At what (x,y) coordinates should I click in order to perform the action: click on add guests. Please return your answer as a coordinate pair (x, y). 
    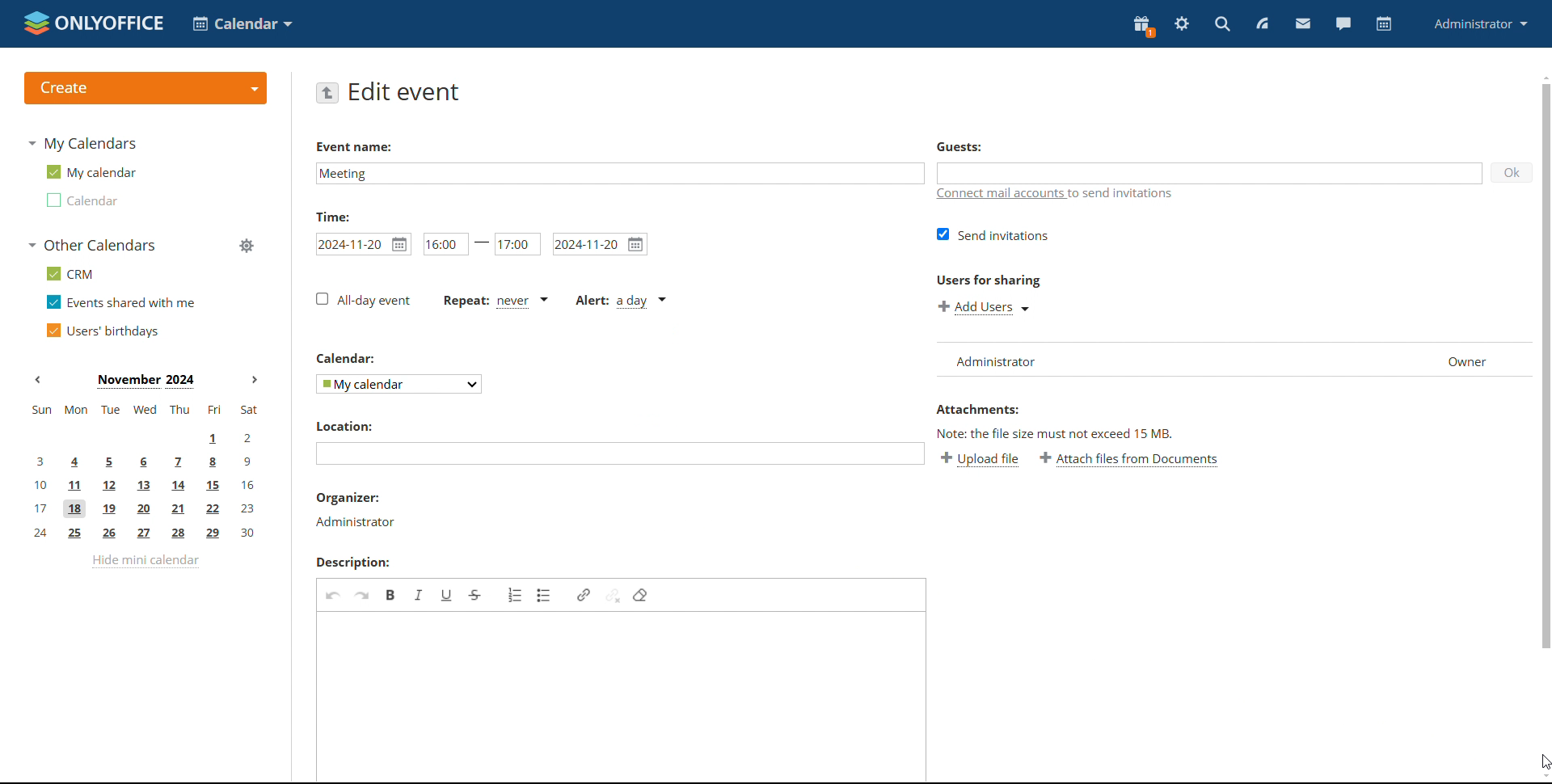
    Looking at the image, I should click on (1209, 174).